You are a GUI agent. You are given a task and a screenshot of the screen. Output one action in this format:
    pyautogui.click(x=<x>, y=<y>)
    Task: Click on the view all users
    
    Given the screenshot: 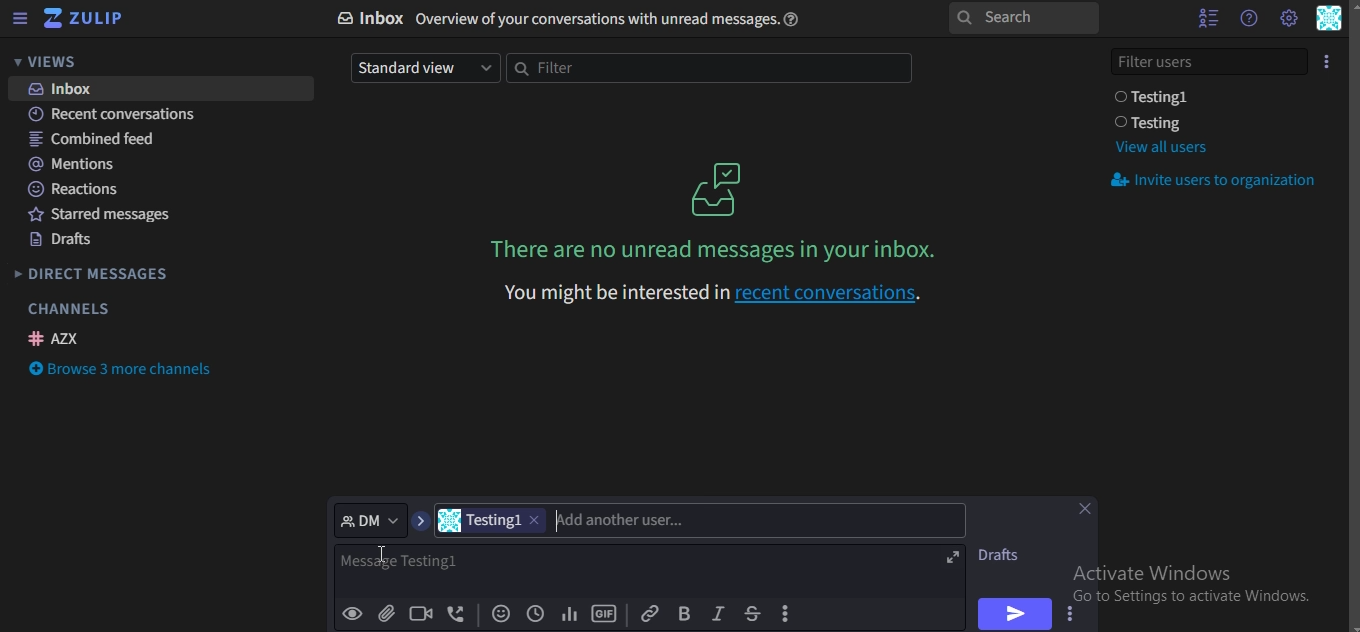 What is the action you would take?
    pyautogui.click(x=1160, y=147)
    